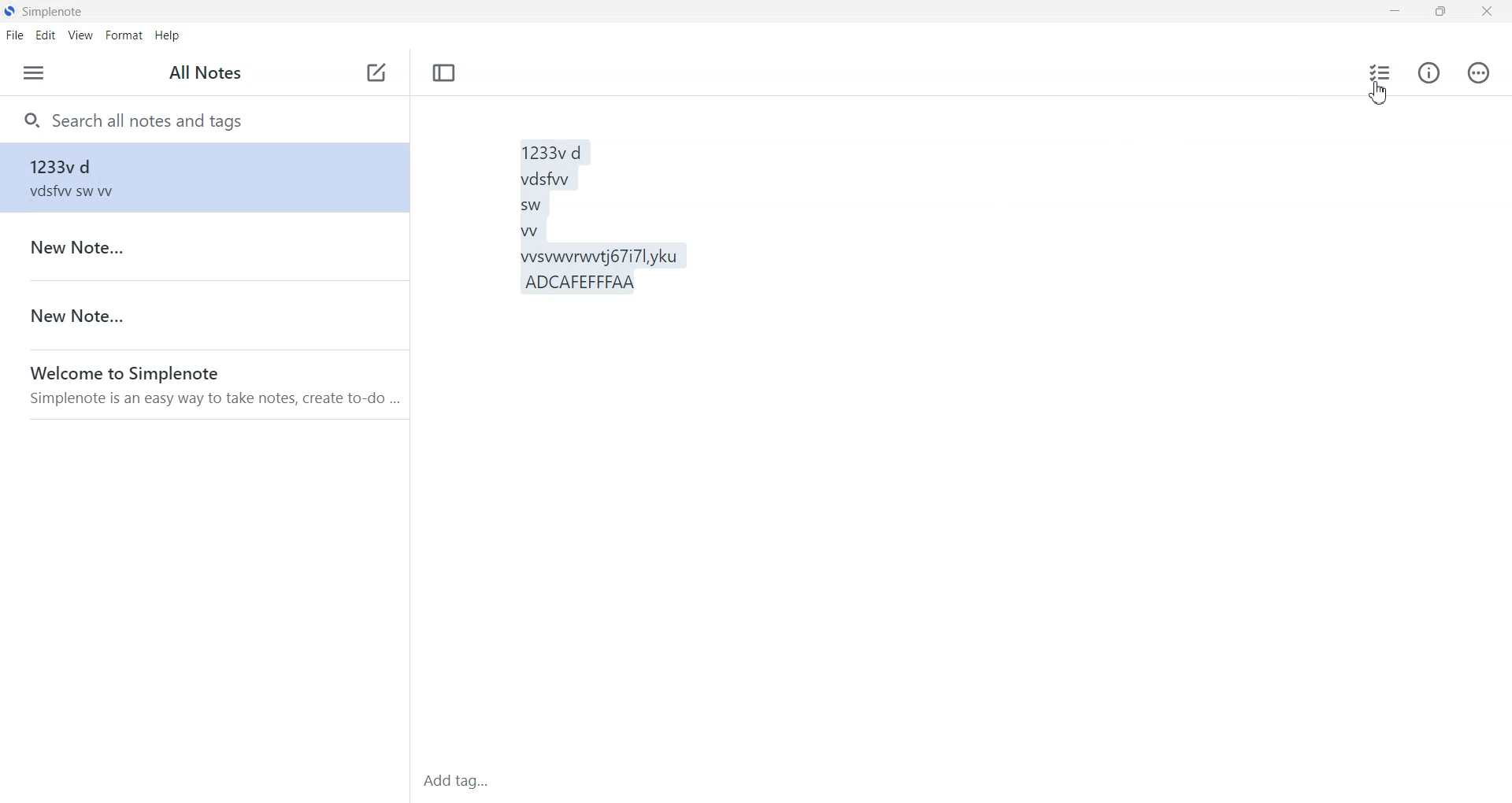 Image resolution: width=1512 pixels, height=803 pixels. Describe the element at coordinates (167, 35) in the screenshot. I see `Help` at that location.